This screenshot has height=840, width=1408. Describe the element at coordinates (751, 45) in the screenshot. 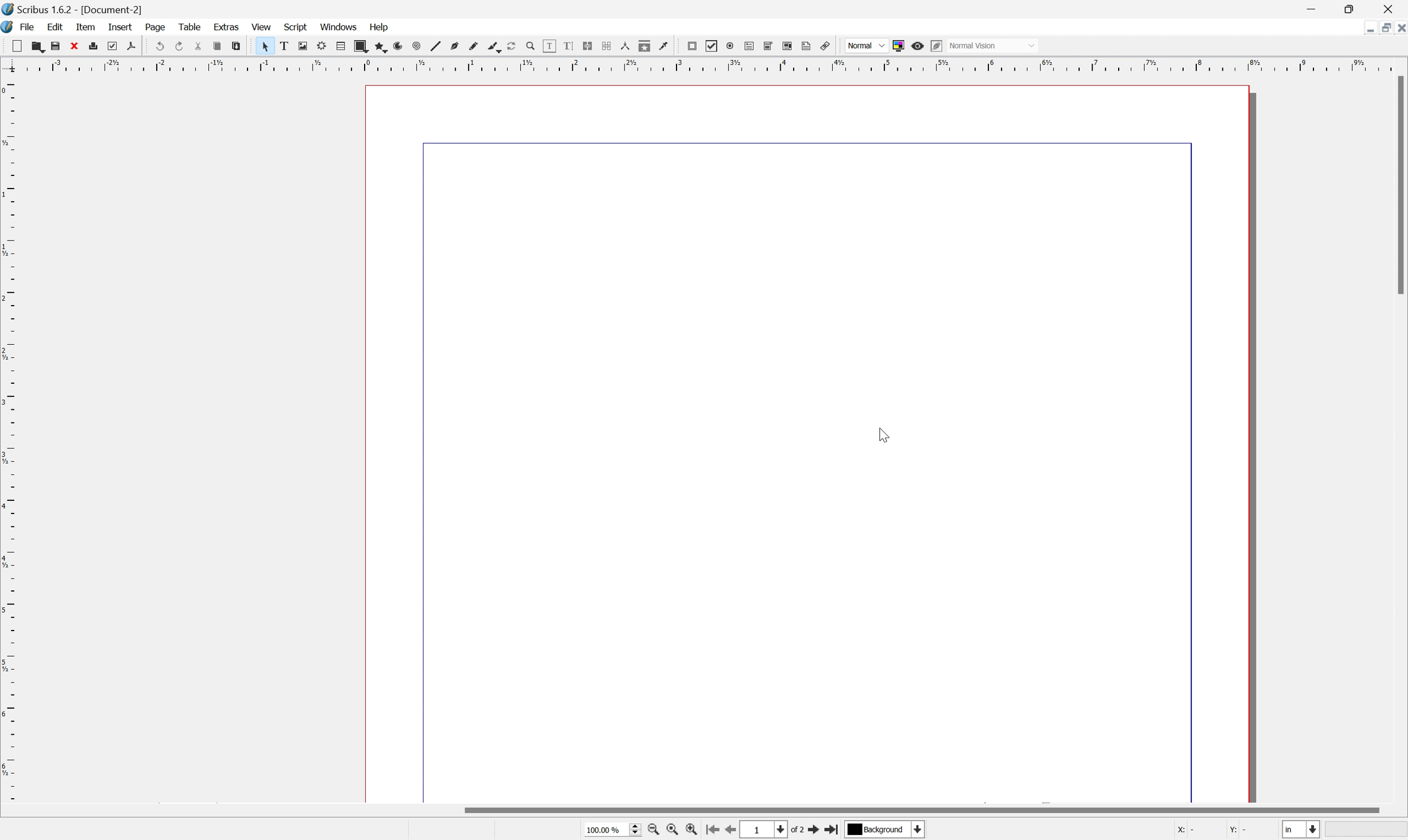

I see `pdf text field` at that location.